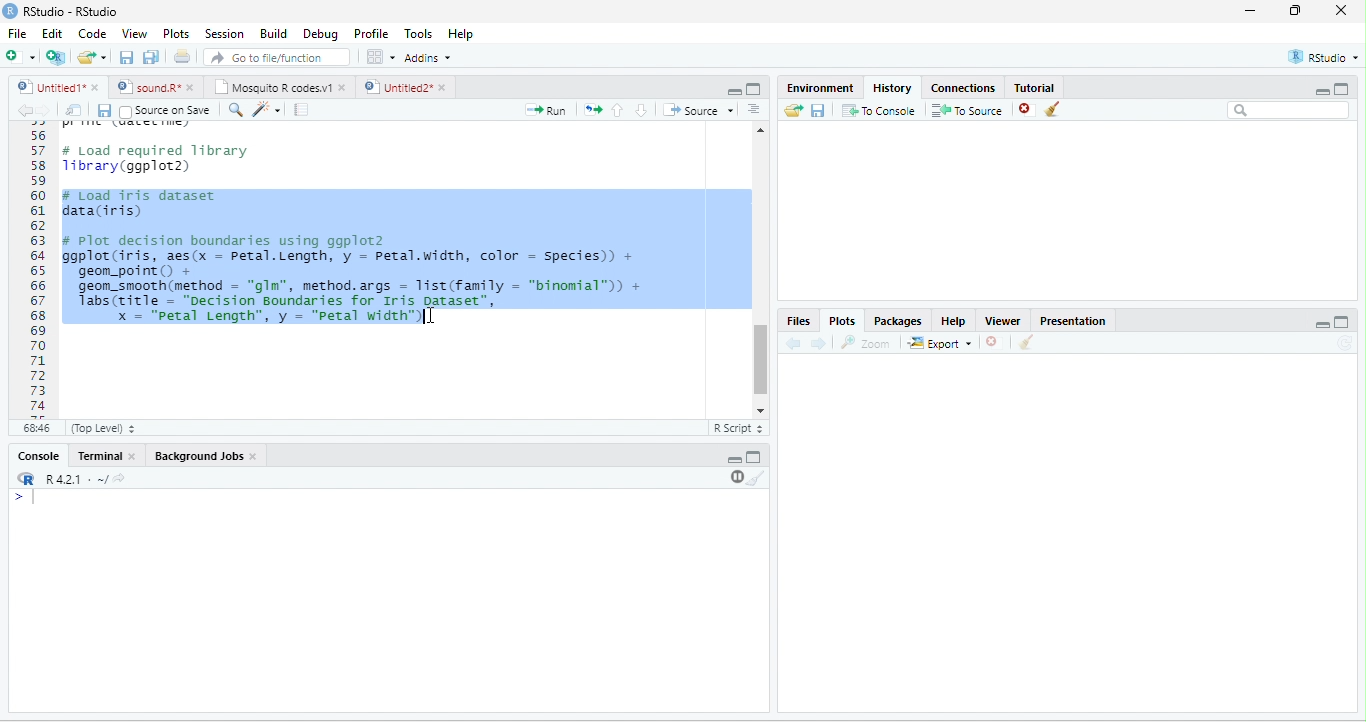 Image resolution: width=1366 pixels, height=722 pixels. I want to click on To console, so click(879, 110).